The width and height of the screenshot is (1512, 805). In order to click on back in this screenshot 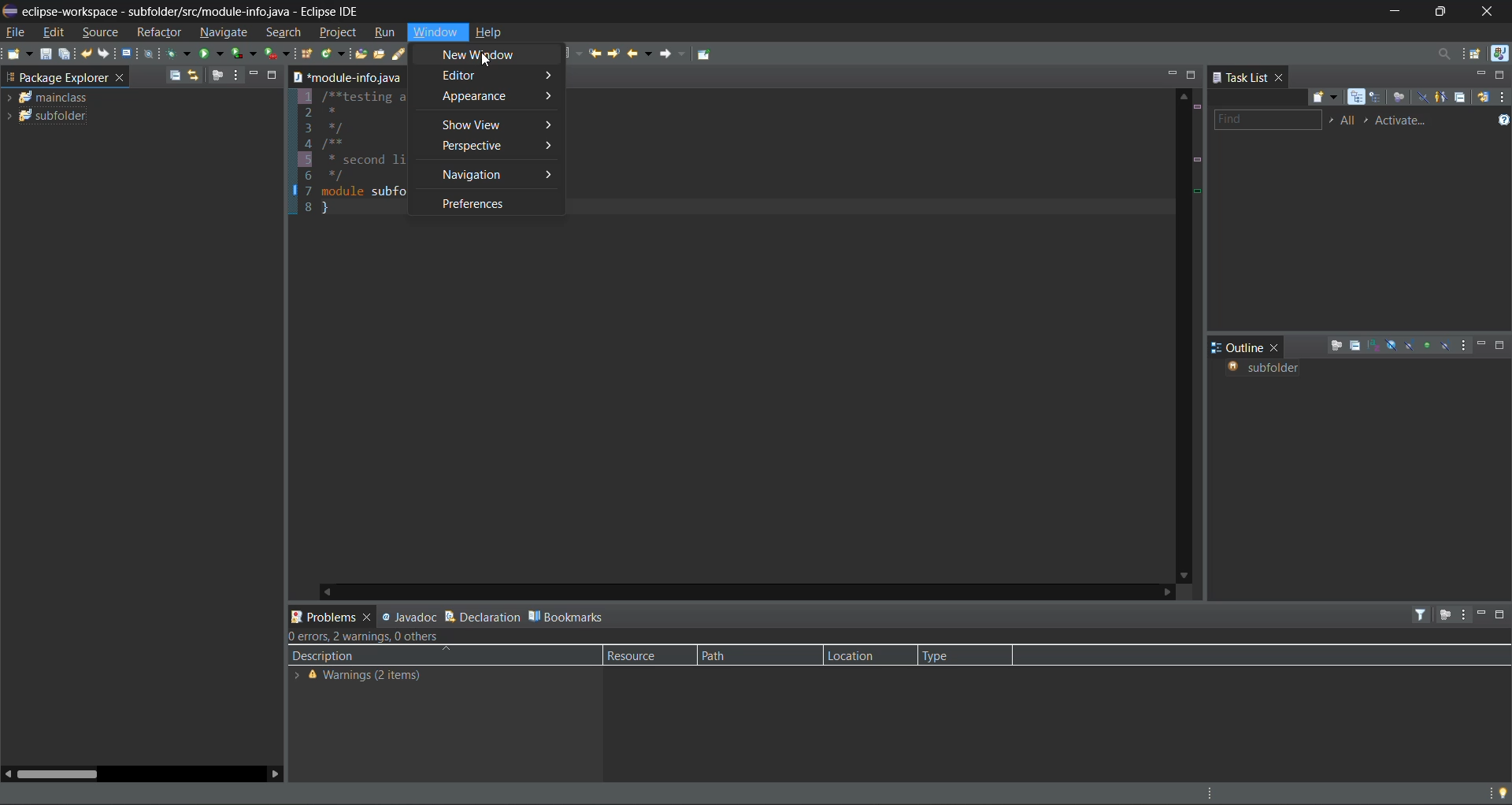, I will do `click(640, 52)`.